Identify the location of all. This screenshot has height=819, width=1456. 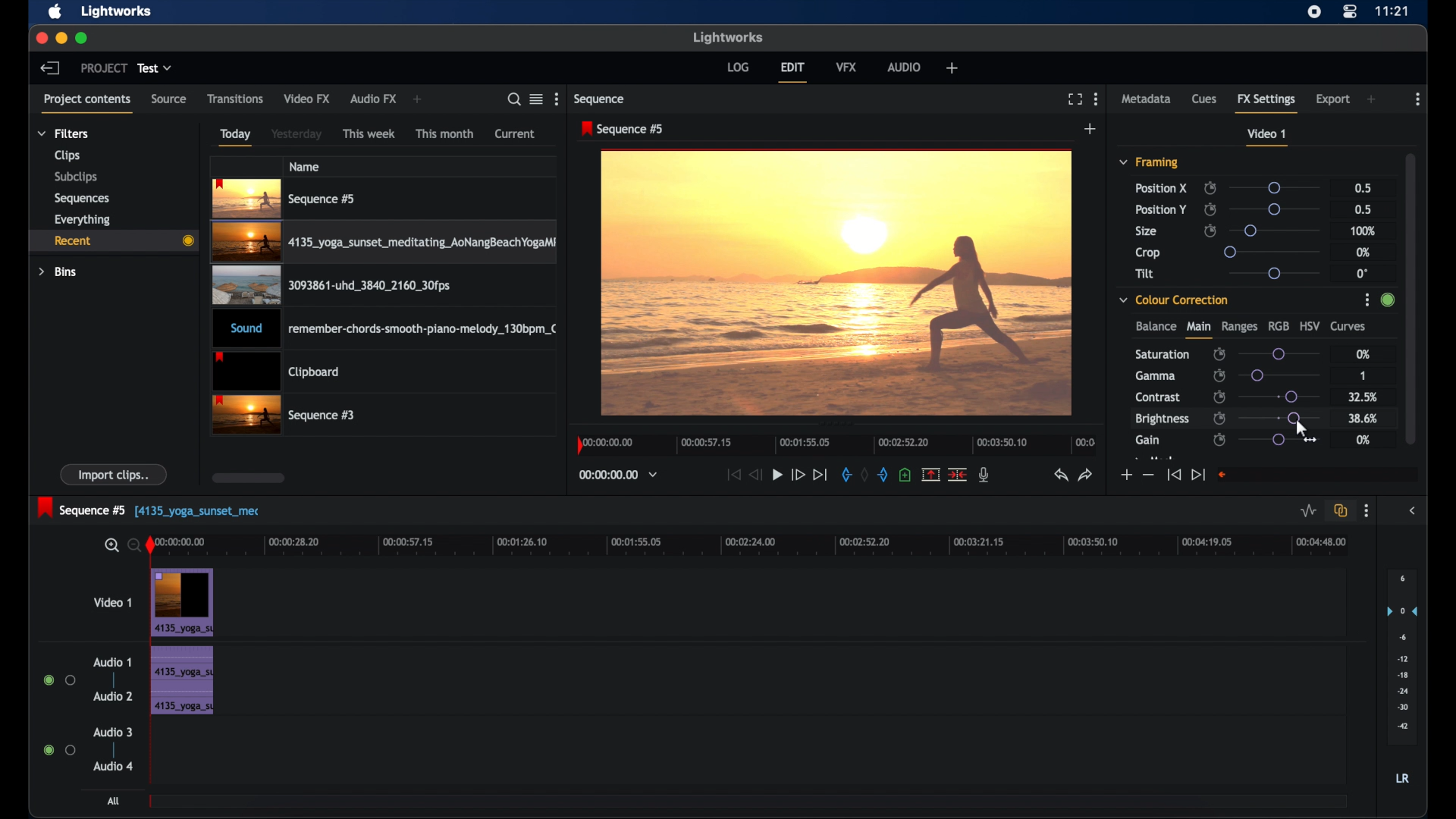
(115, 801).